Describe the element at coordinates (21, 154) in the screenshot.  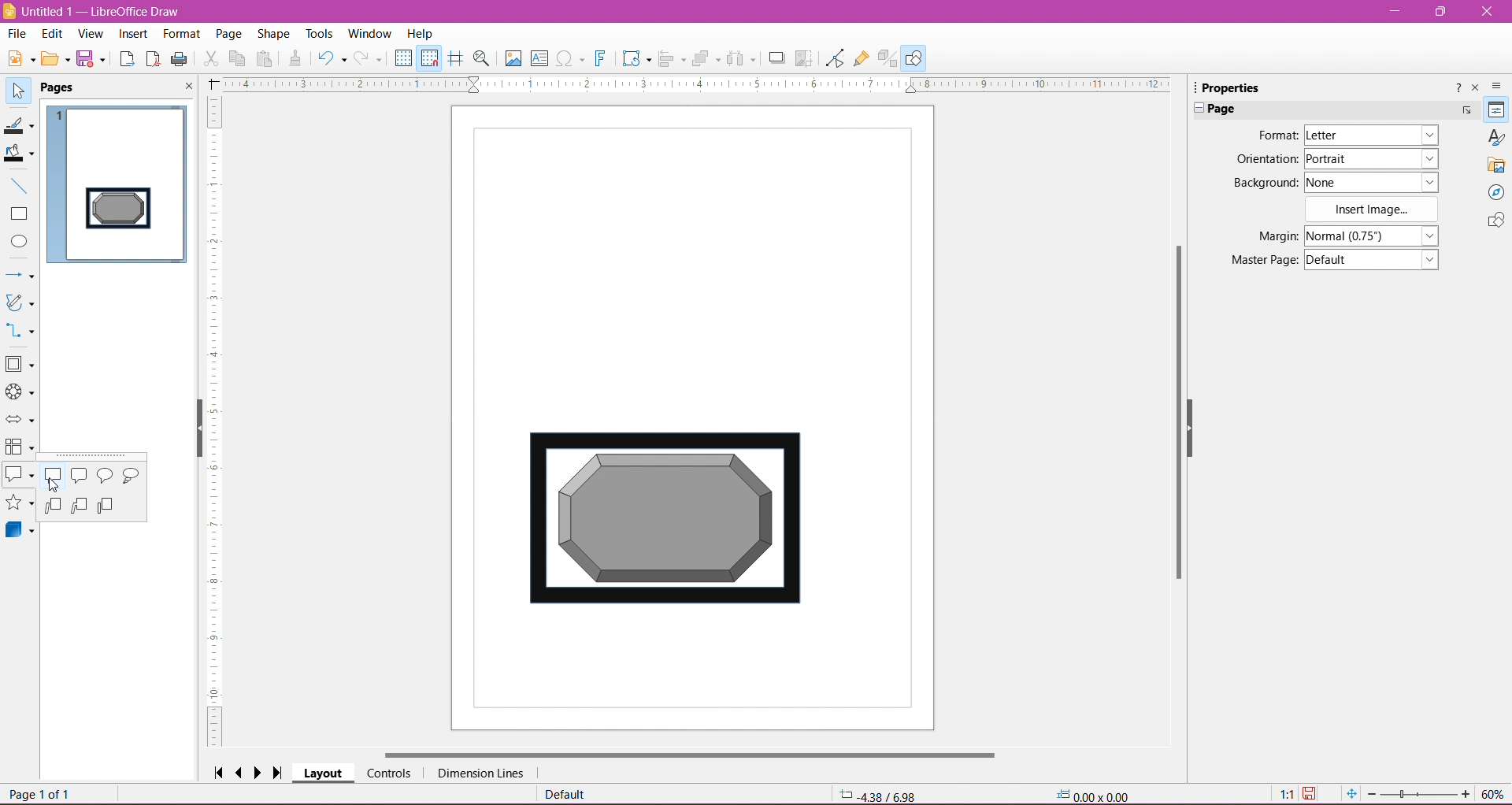
I see `Fill Color` at that location.